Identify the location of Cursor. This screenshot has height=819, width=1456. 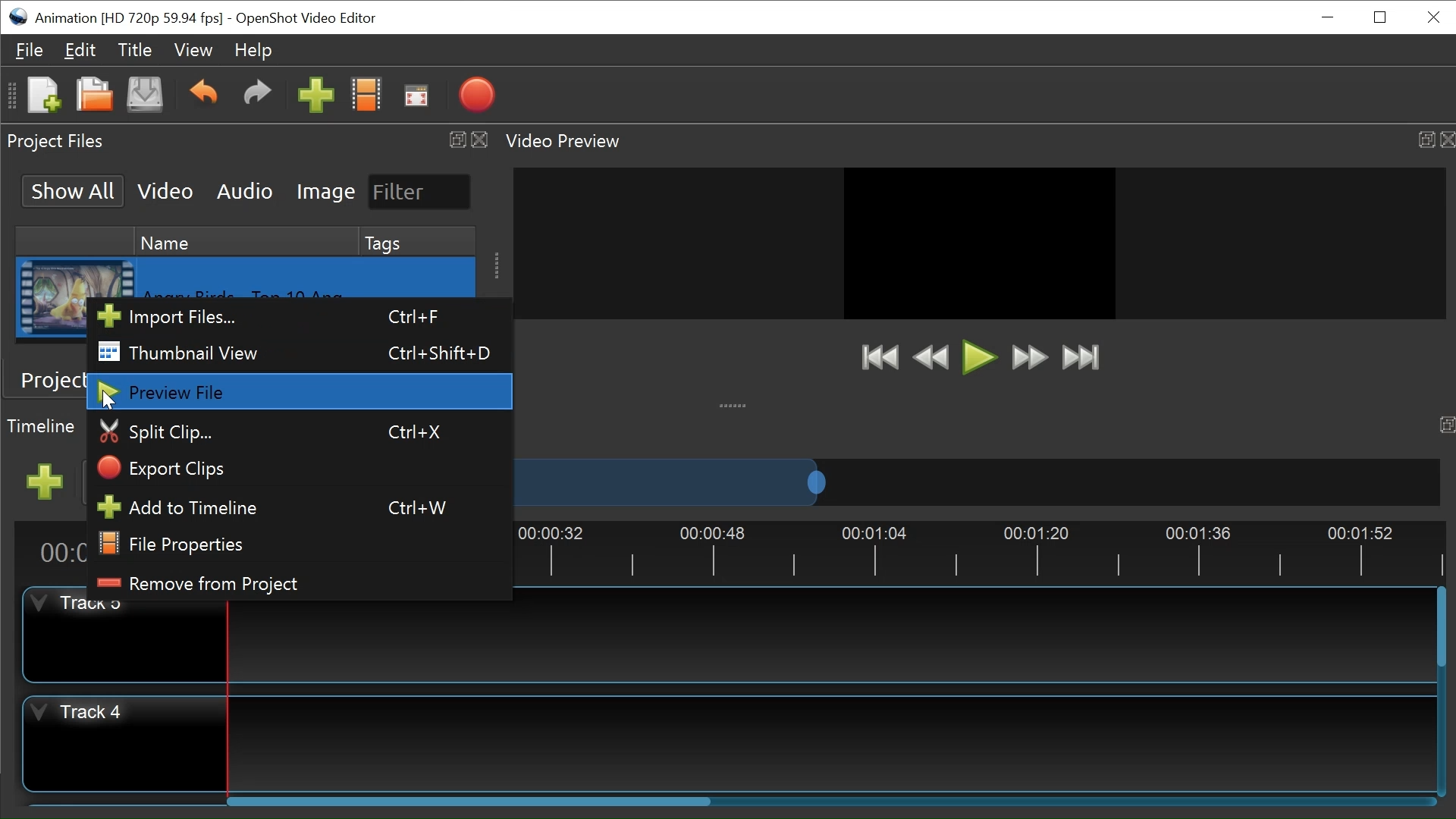
(111, 399).